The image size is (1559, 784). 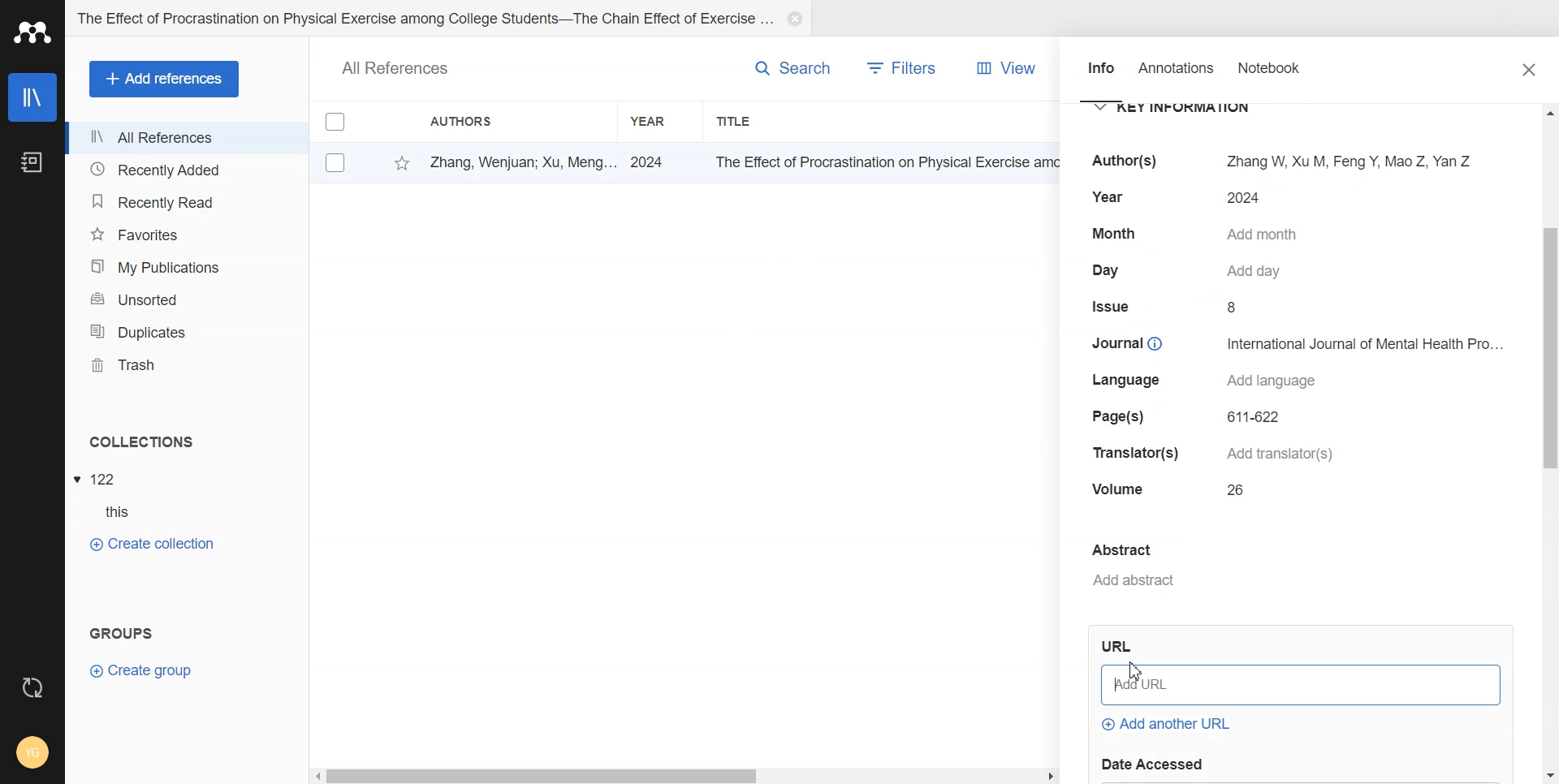 I want to click on Notebook, so click(x=1282, y=75).